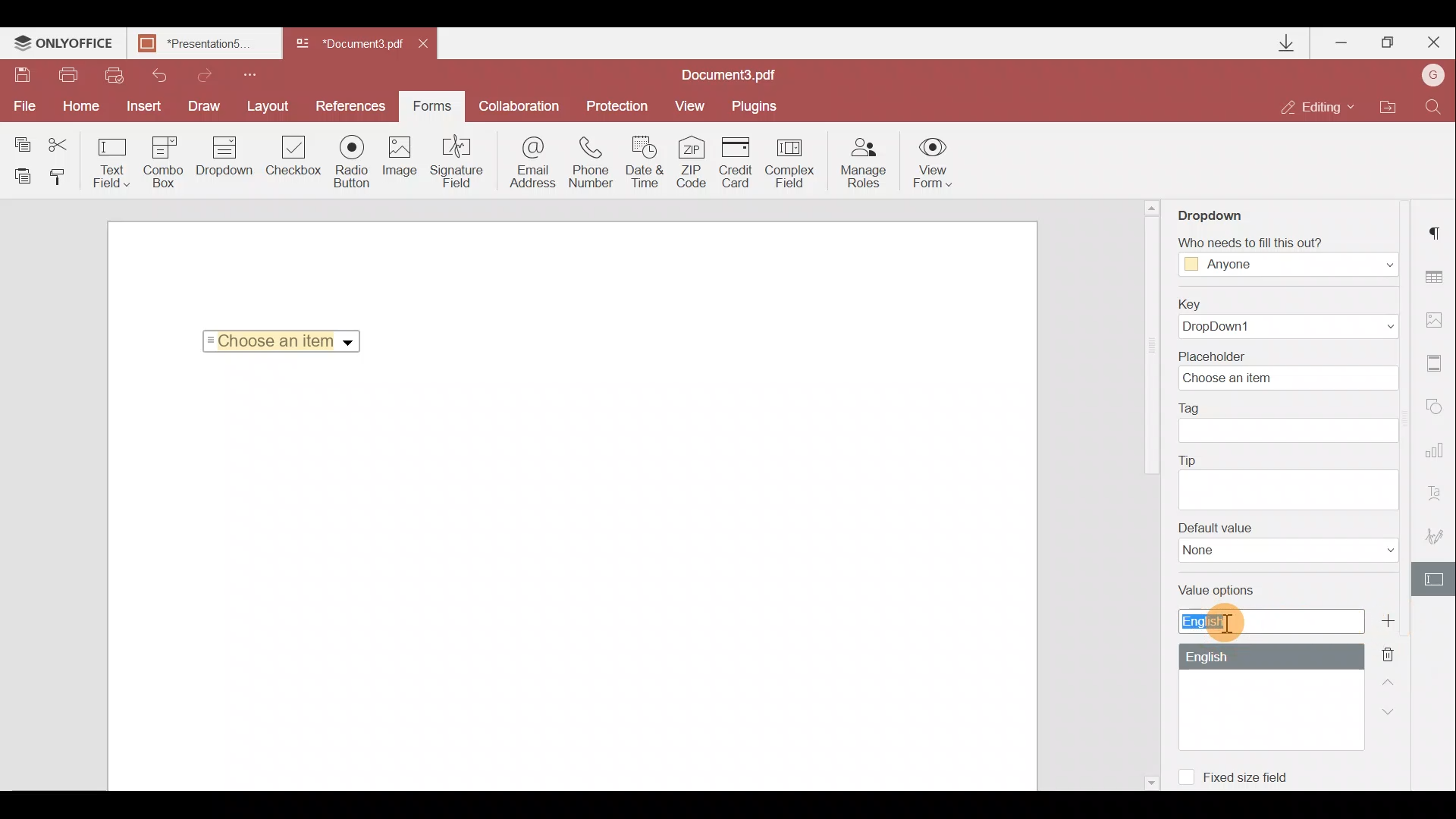  Describe the element at coordinates (1438, 316) in the screenshot. I see `Image settings` at that location.